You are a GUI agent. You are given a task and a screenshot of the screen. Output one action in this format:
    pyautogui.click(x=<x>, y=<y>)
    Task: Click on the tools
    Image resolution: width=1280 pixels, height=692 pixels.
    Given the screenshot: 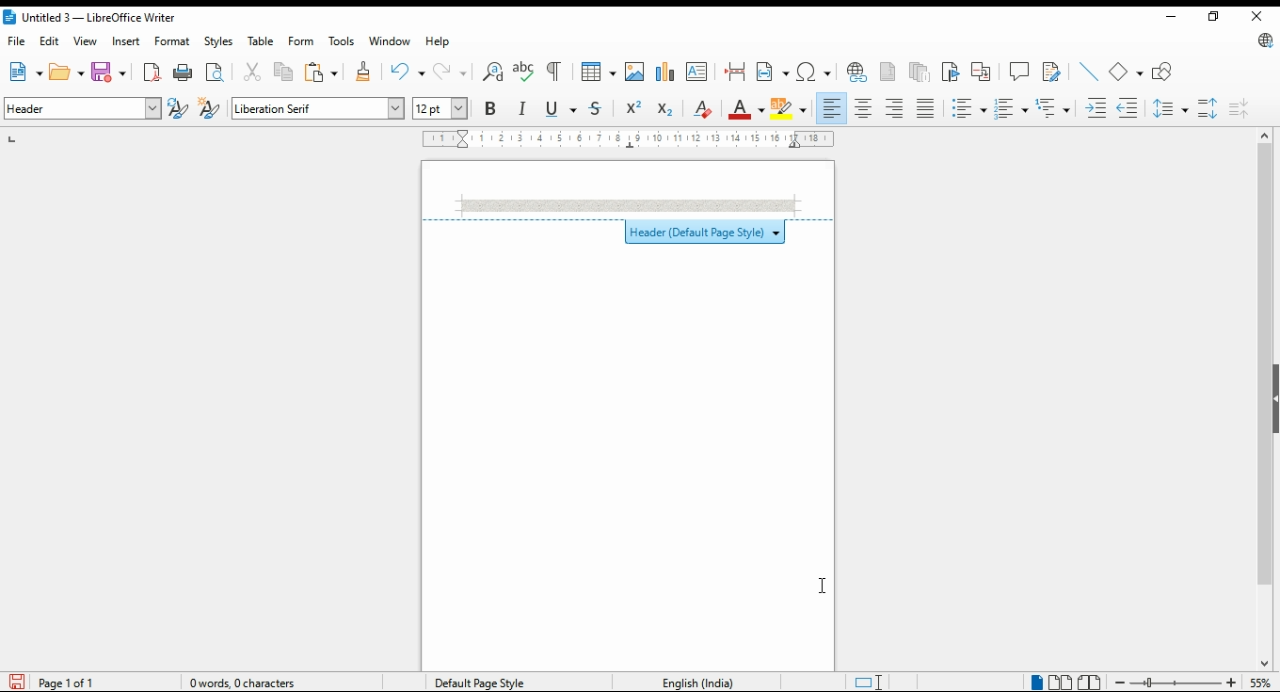 What is the action you would take?
    pyautogui.click(x=340, y=41)
    